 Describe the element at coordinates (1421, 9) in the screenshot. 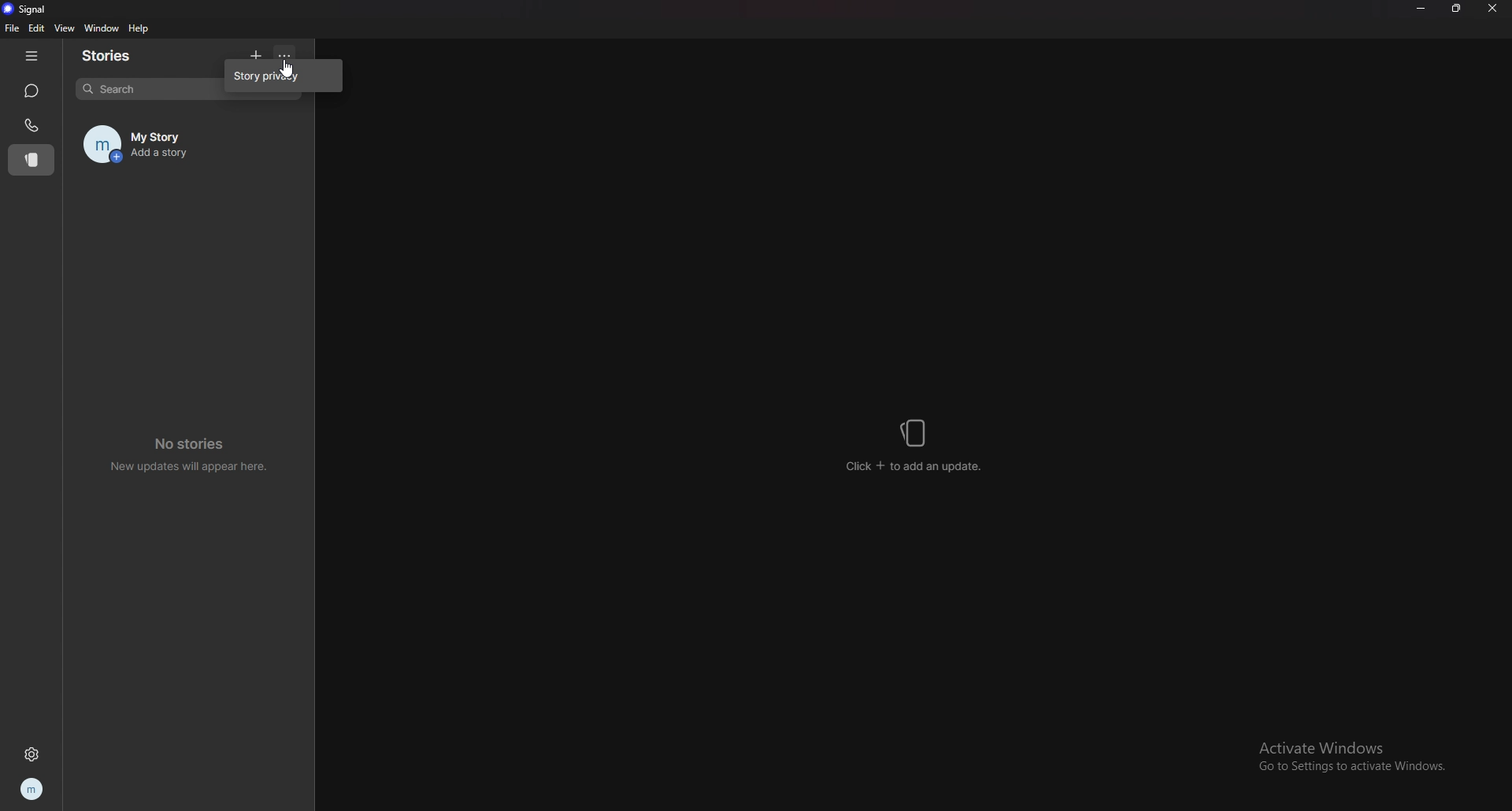

I see `minimize` at that location.